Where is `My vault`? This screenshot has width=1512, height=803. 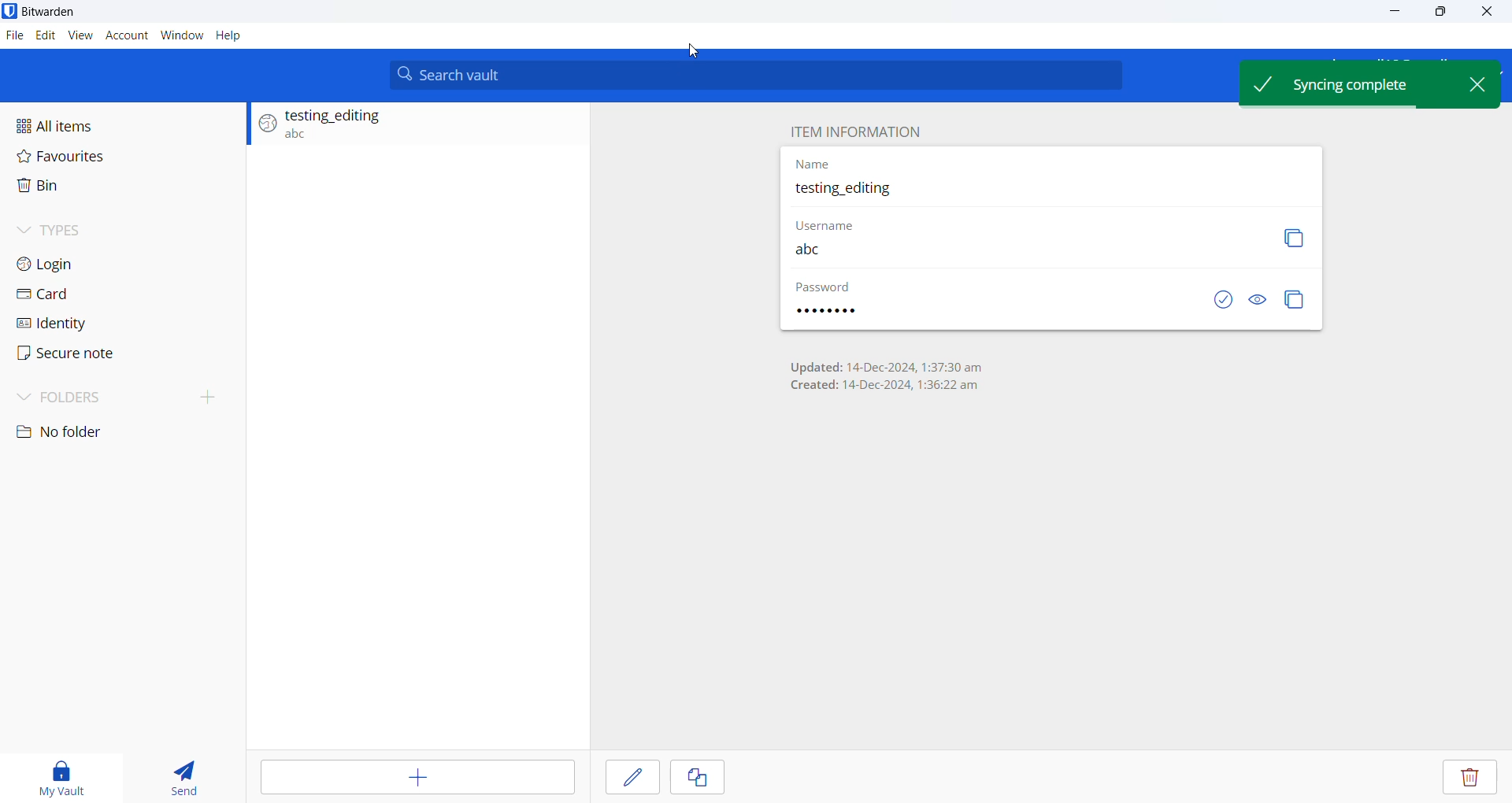 My vault is located at coordinates (69, 774).